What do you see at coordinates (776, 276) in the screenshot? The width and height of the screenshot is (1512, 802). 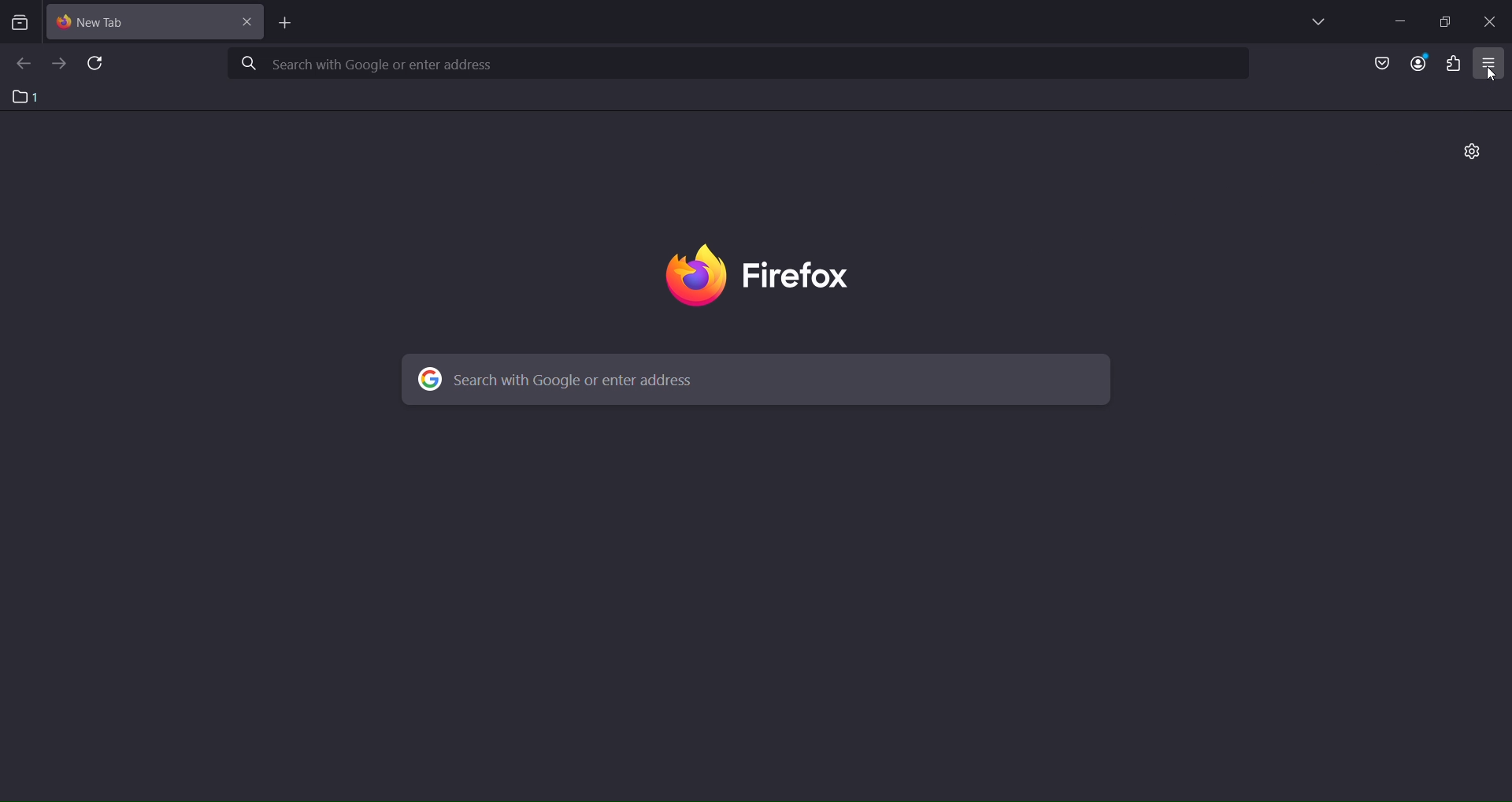 I see `image` at bounding box center [776, 276].